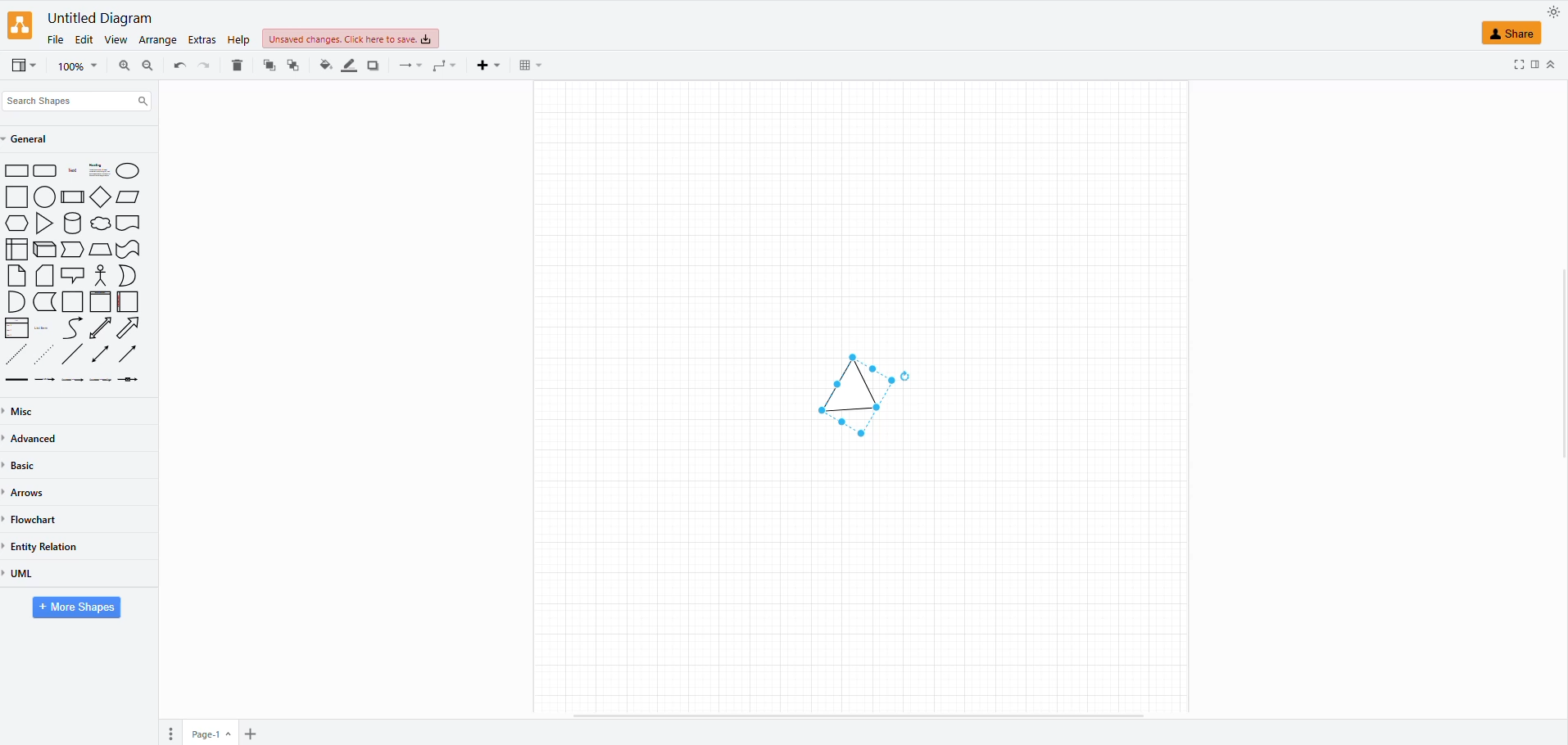 The image size is (1568, 745). I want to click on Flag, so click(129, 251).